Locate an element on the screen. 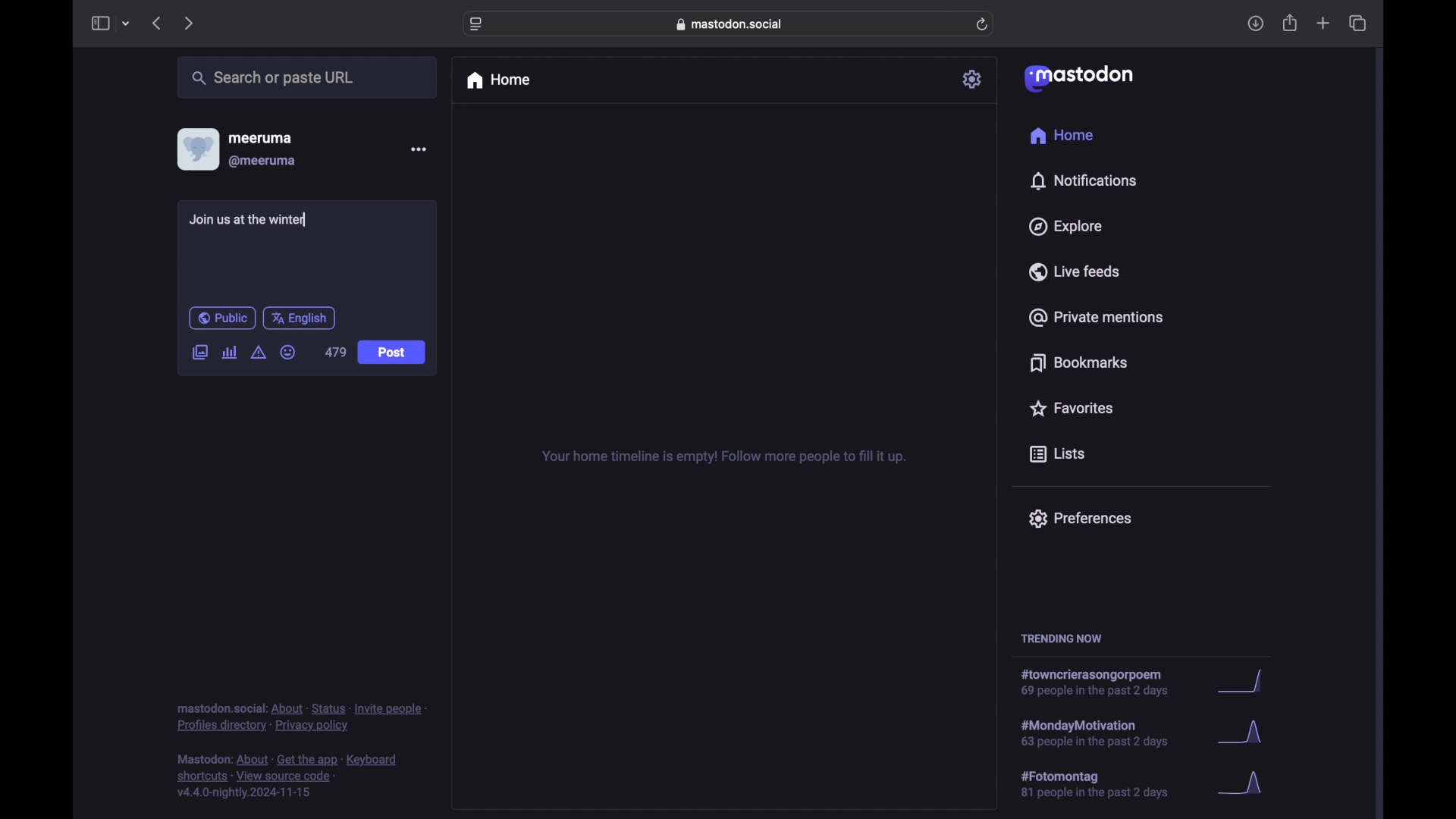 This screenshot has height=819, width=1456. explore is located at coordinates (1064, 227).